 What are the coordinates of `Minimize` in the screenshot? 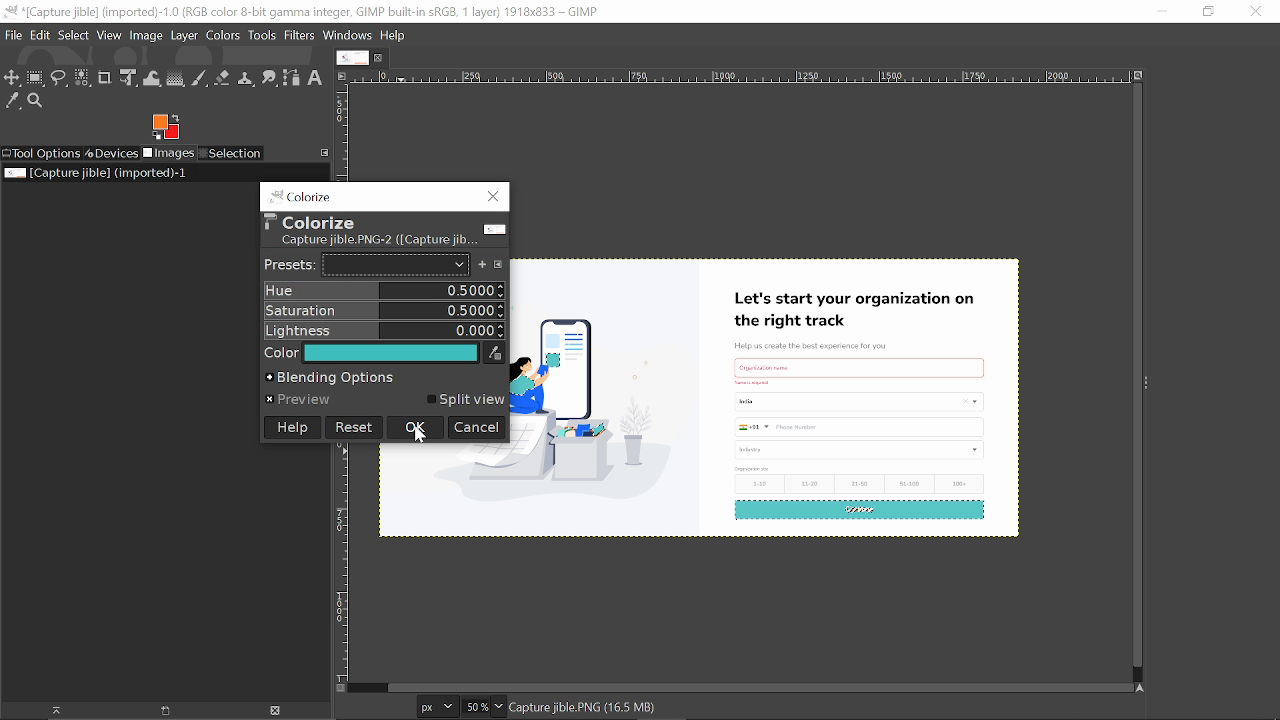 It's located at (1158, 10).